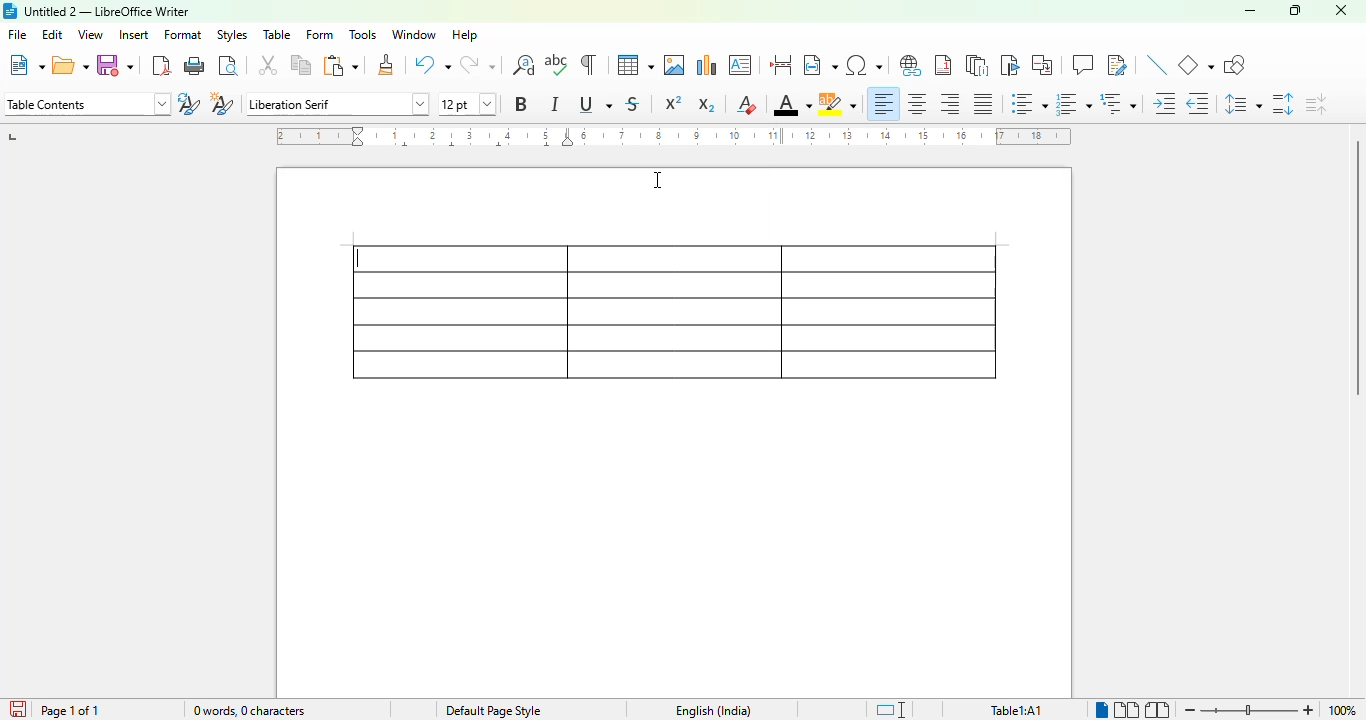 This screenshot has width=1366, height=720. Describe the element at coordinates (675, 312) in the screenshot. I see `table with 5 rows and 3 columns created` at that location.